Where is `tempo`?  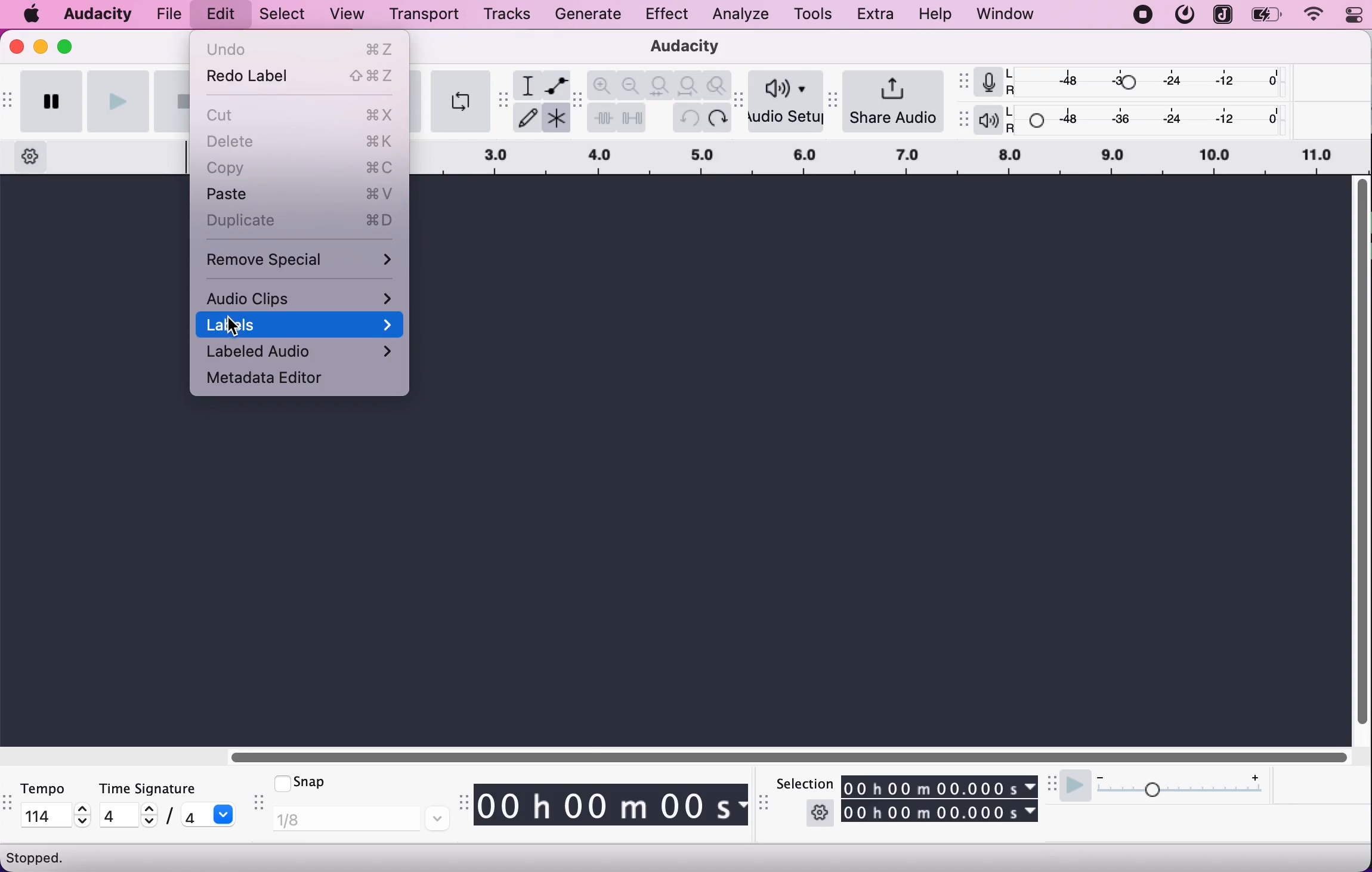 tempo is located at coordinates (52, 788).